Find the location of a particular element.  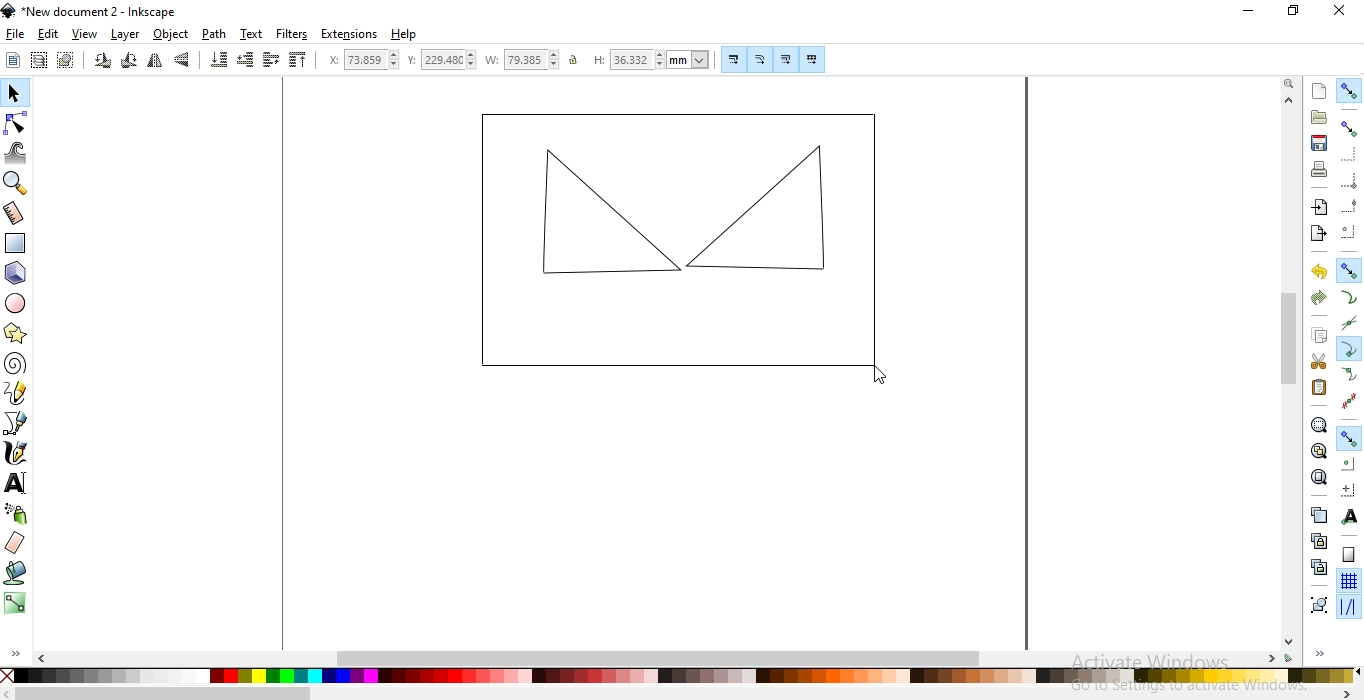

create 3D boxes is located at coordinates (15, 274).